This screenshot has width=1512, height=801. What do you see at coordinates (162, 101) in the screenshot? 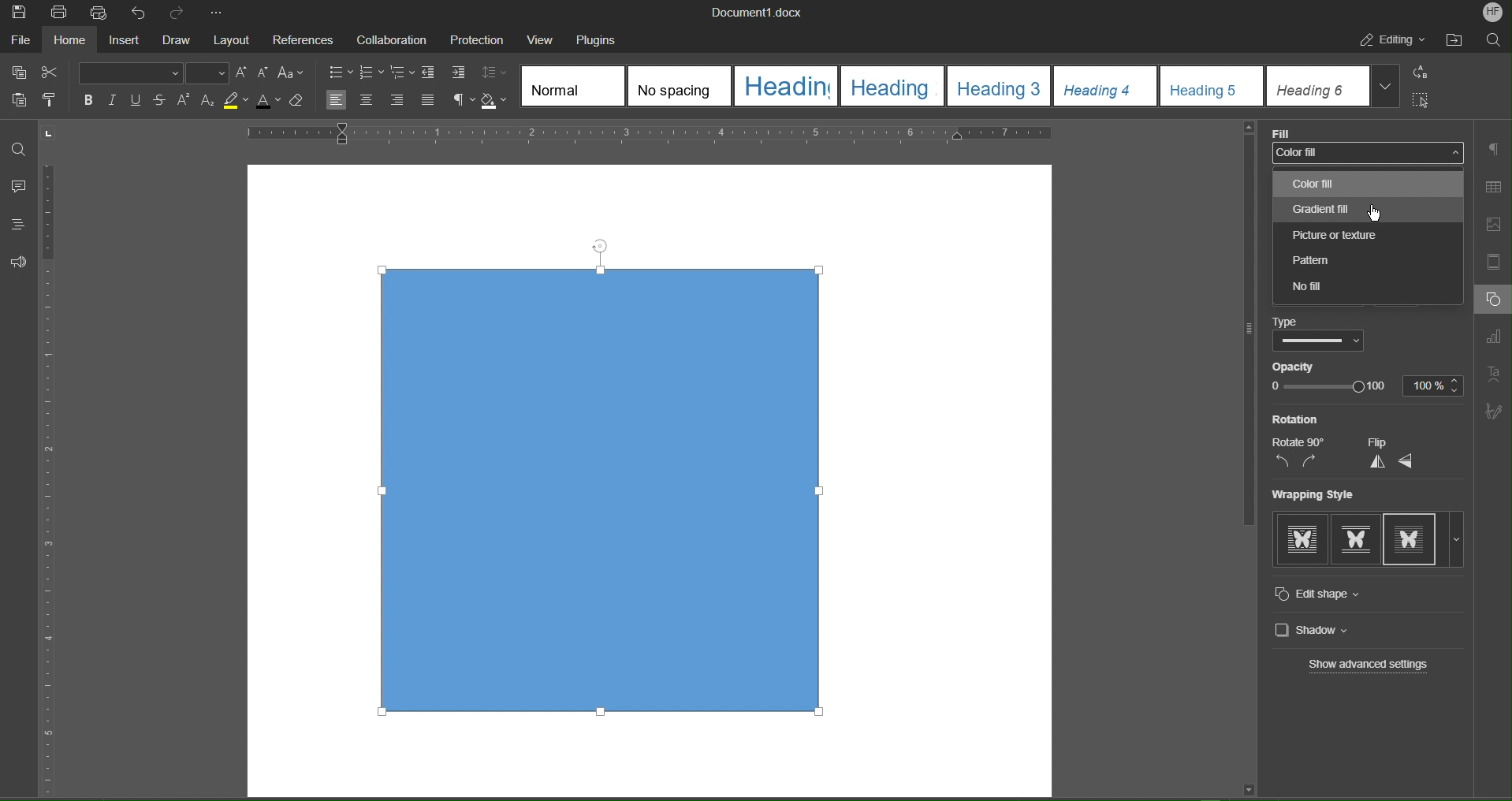
I see `Strikethrough` at bounding box center [162, 101].